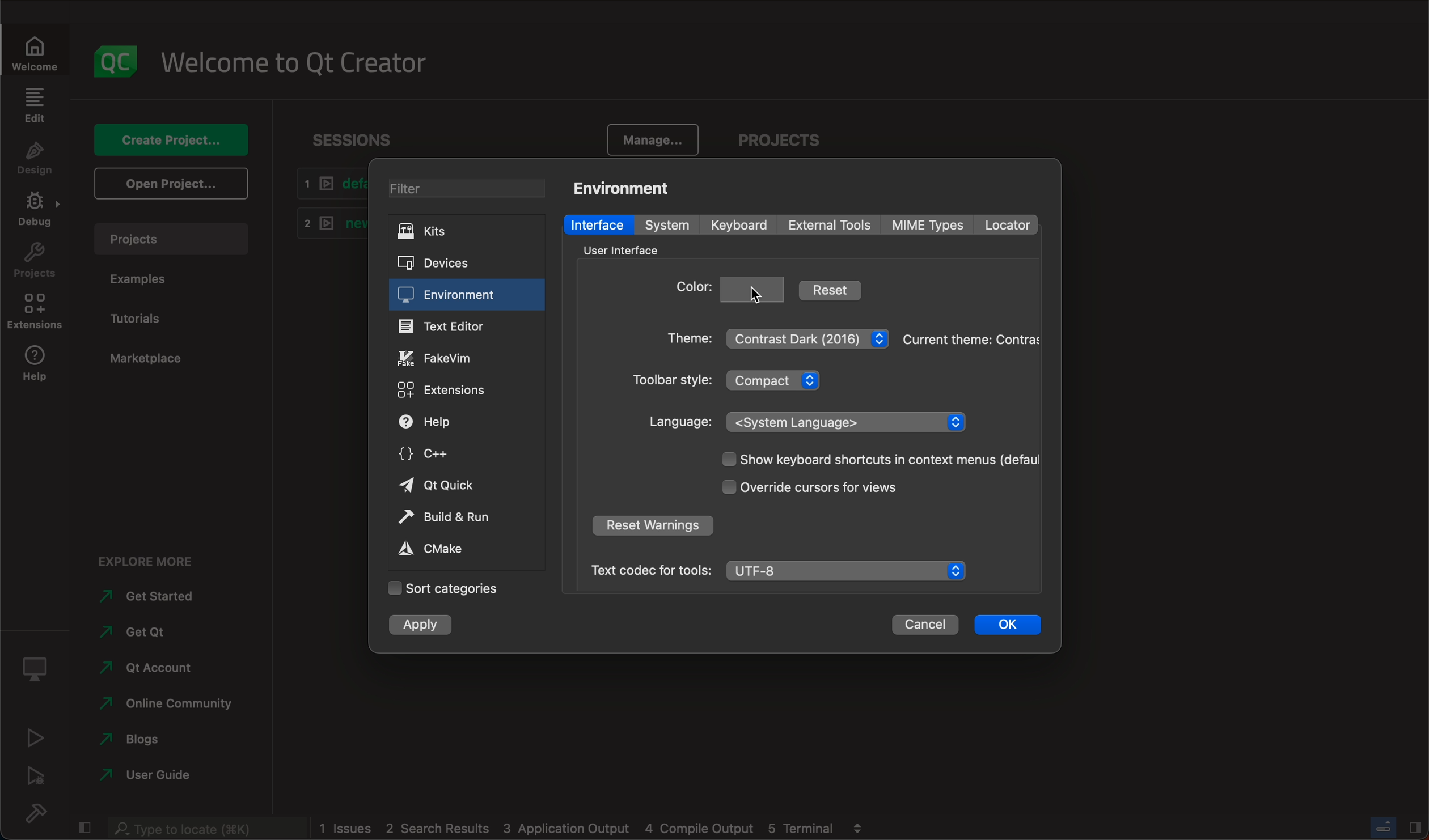  I want to click on UTF-8, so click(849, 571).